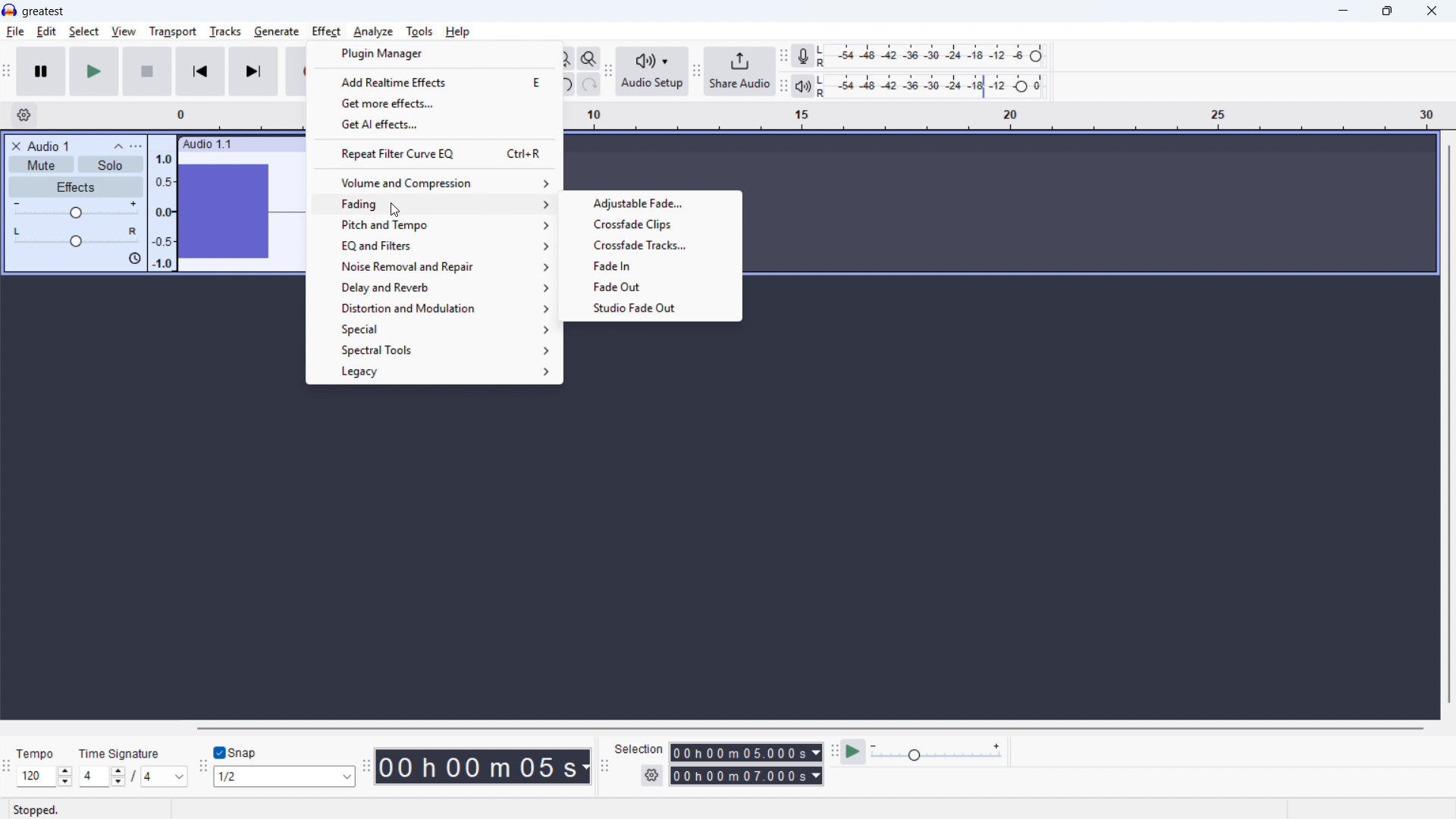 Image resolution: width=1456 pixels, height=819 pixels. What do you see at coordinates (372, 33) in the screenshot?
I see `analyse` at bounding box center [372, 33].